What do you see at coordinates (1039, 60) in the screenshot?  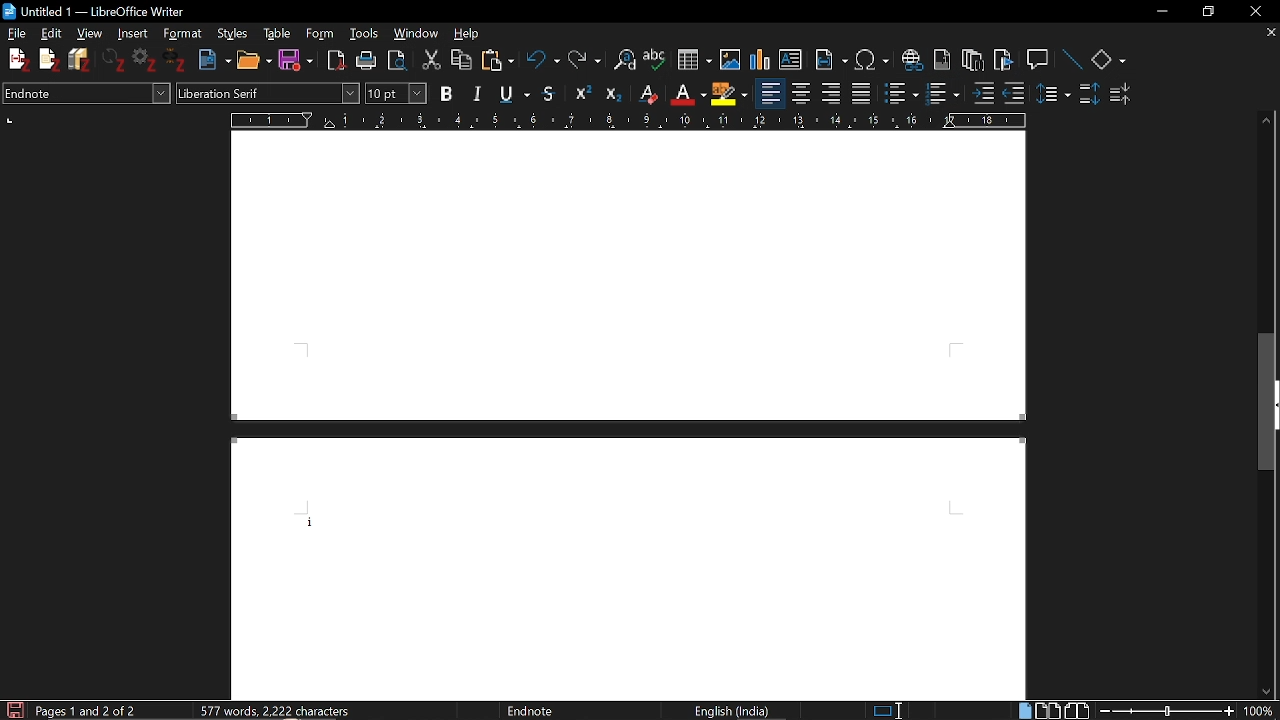 I see `Insert comment` at bounding box center [1039, 60].